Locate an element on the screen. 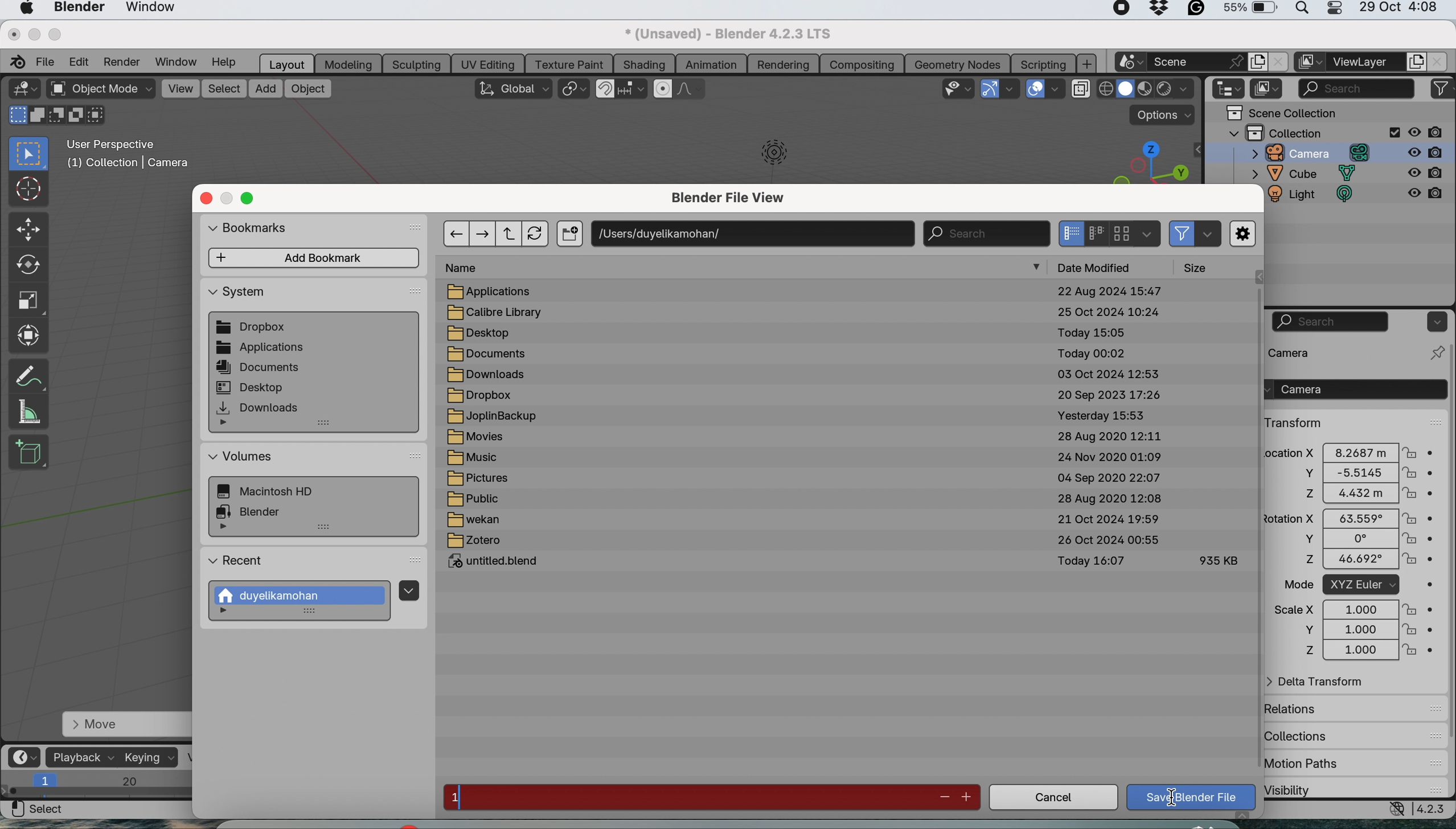 The width and height of the screenshot is (1456, 829). control center is located at coordinates (1333, 10).